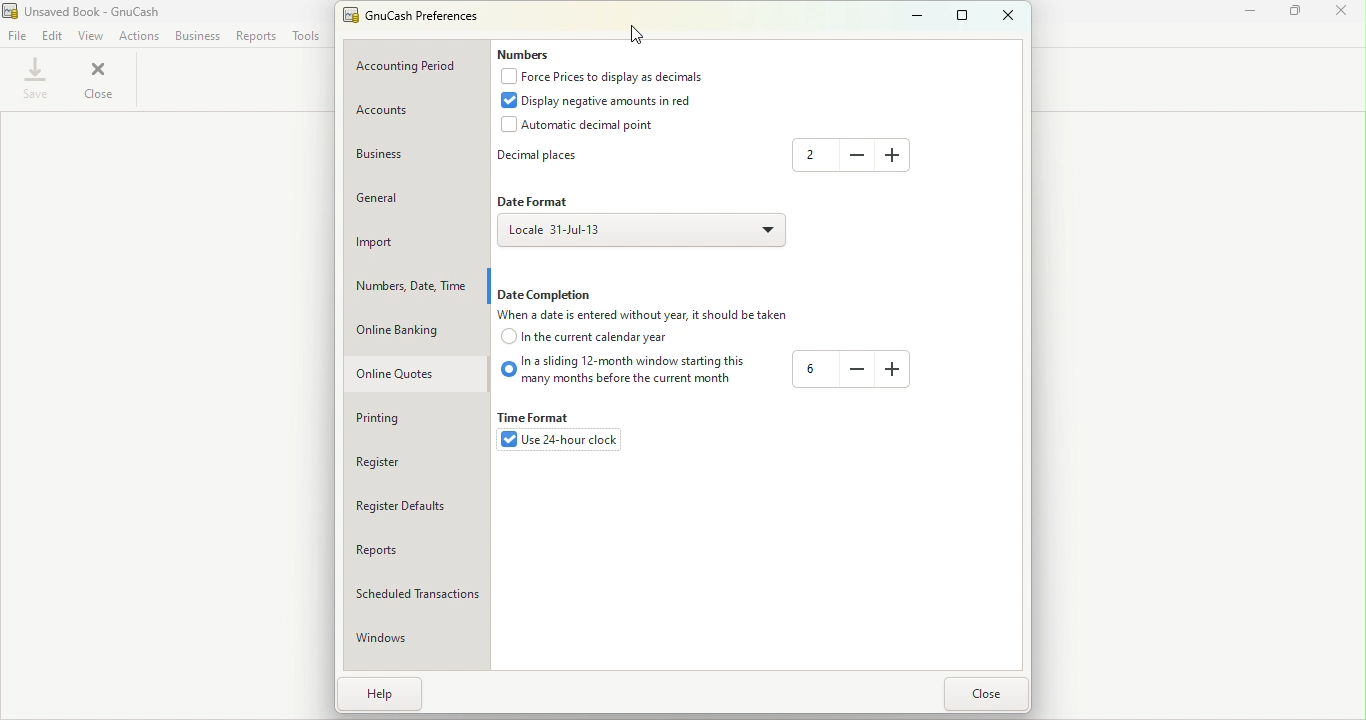  Describe the element at coordinates (418, 193) in the screenshot. I see `General` at that location.